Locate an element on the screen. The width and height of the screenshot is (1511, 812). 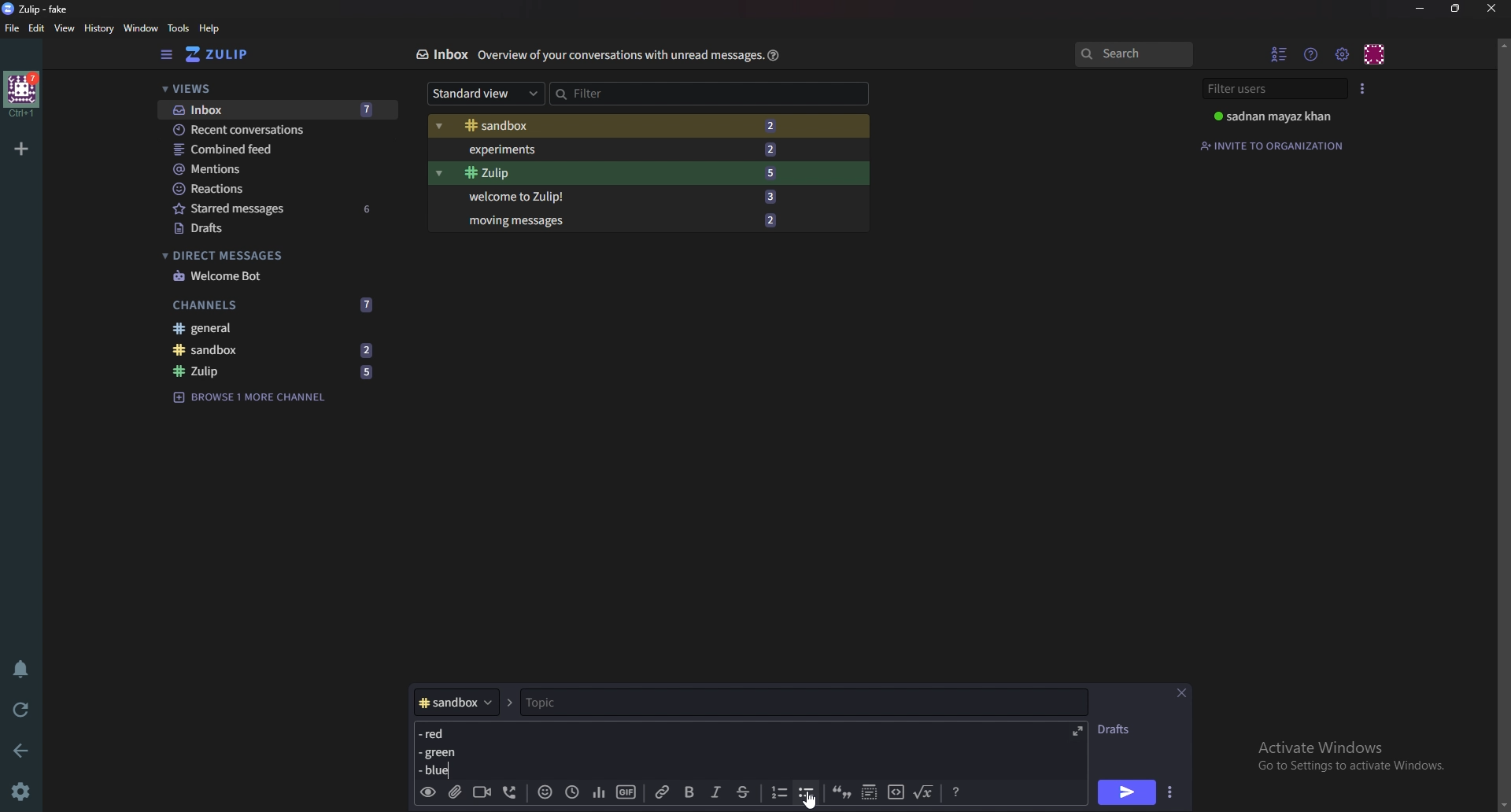
Italic is located at coordinates (716, 792).